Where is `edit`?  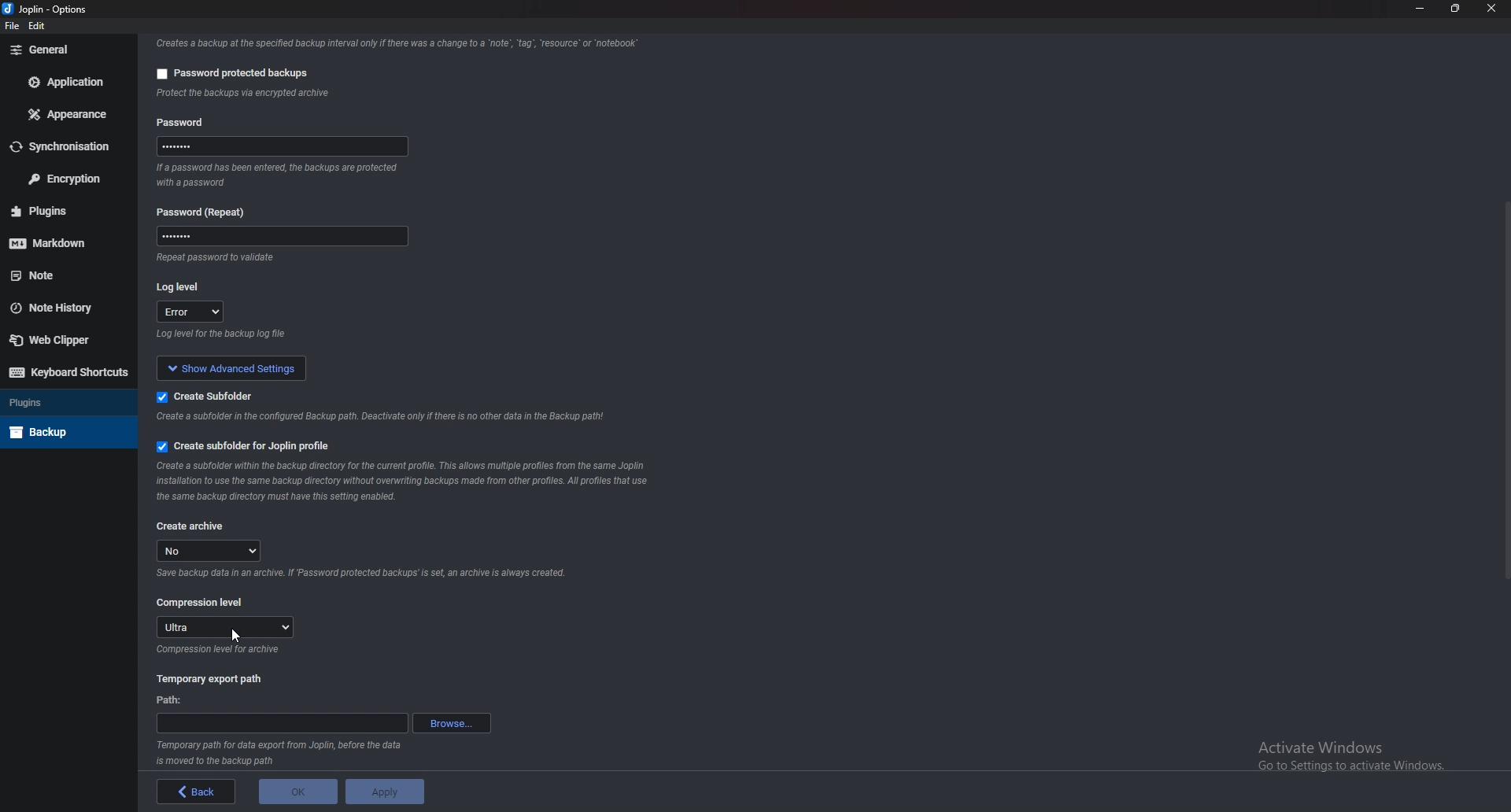 edit is located at coordinates (38, 27).